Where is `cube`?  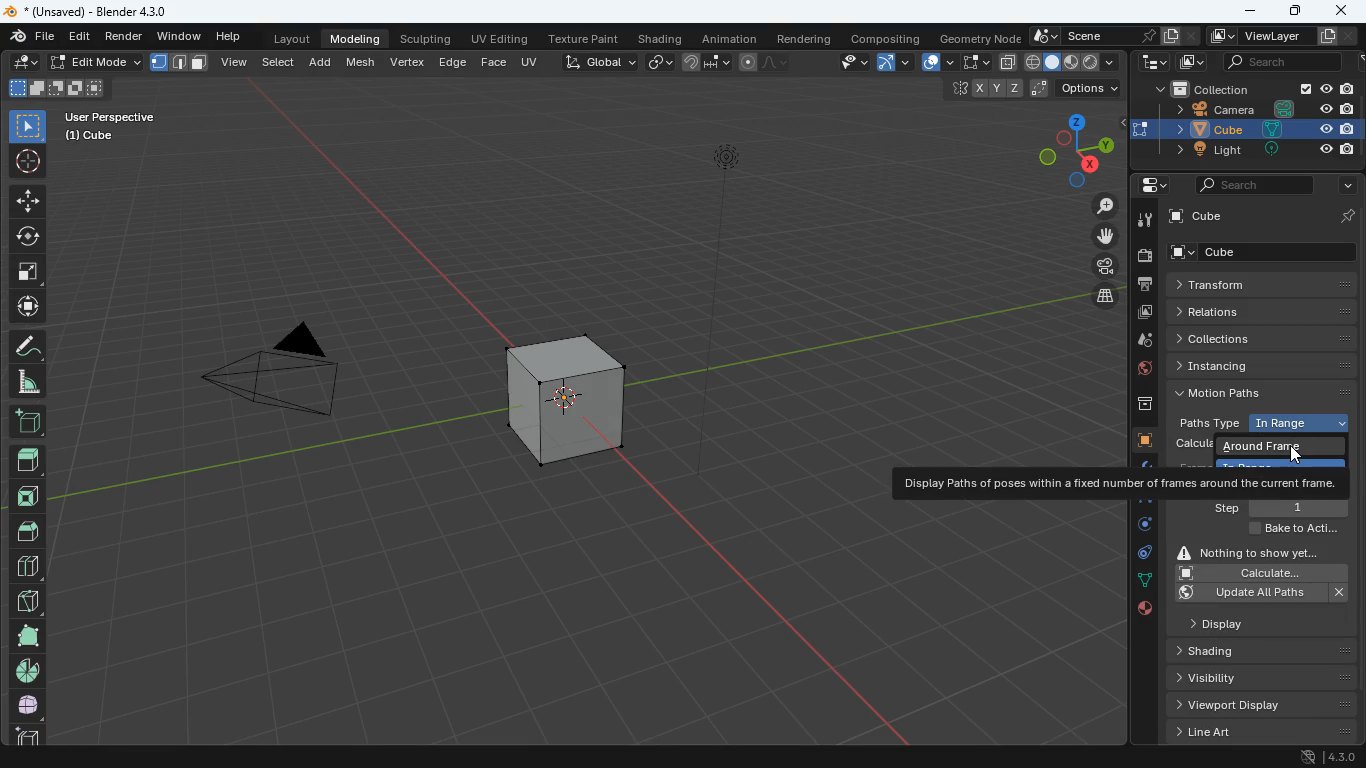 cube is located at coordinates (1143, 441).